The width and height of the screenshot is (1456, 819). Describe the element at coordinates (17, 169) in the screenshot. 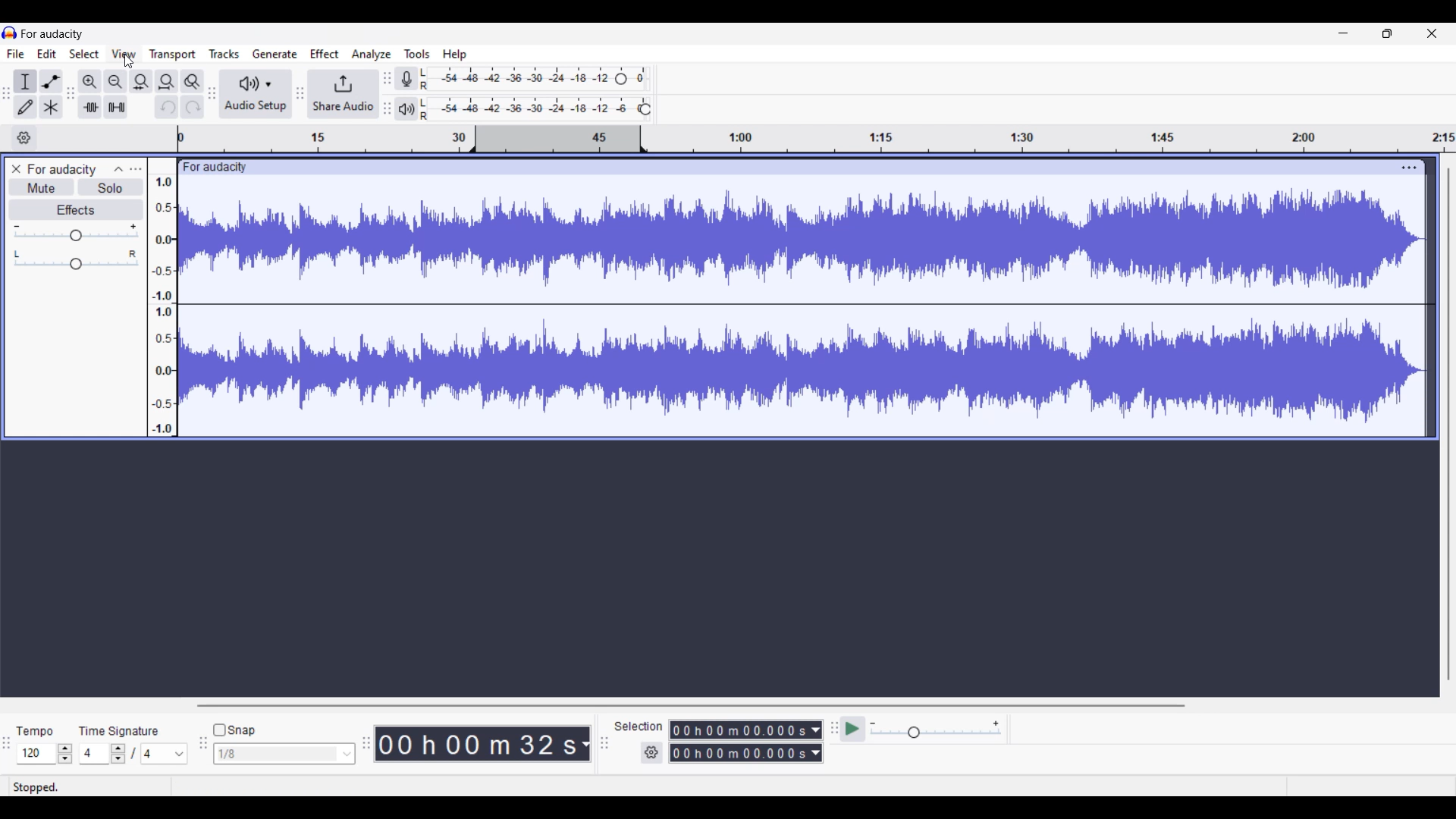

I see `Close track` at that location.